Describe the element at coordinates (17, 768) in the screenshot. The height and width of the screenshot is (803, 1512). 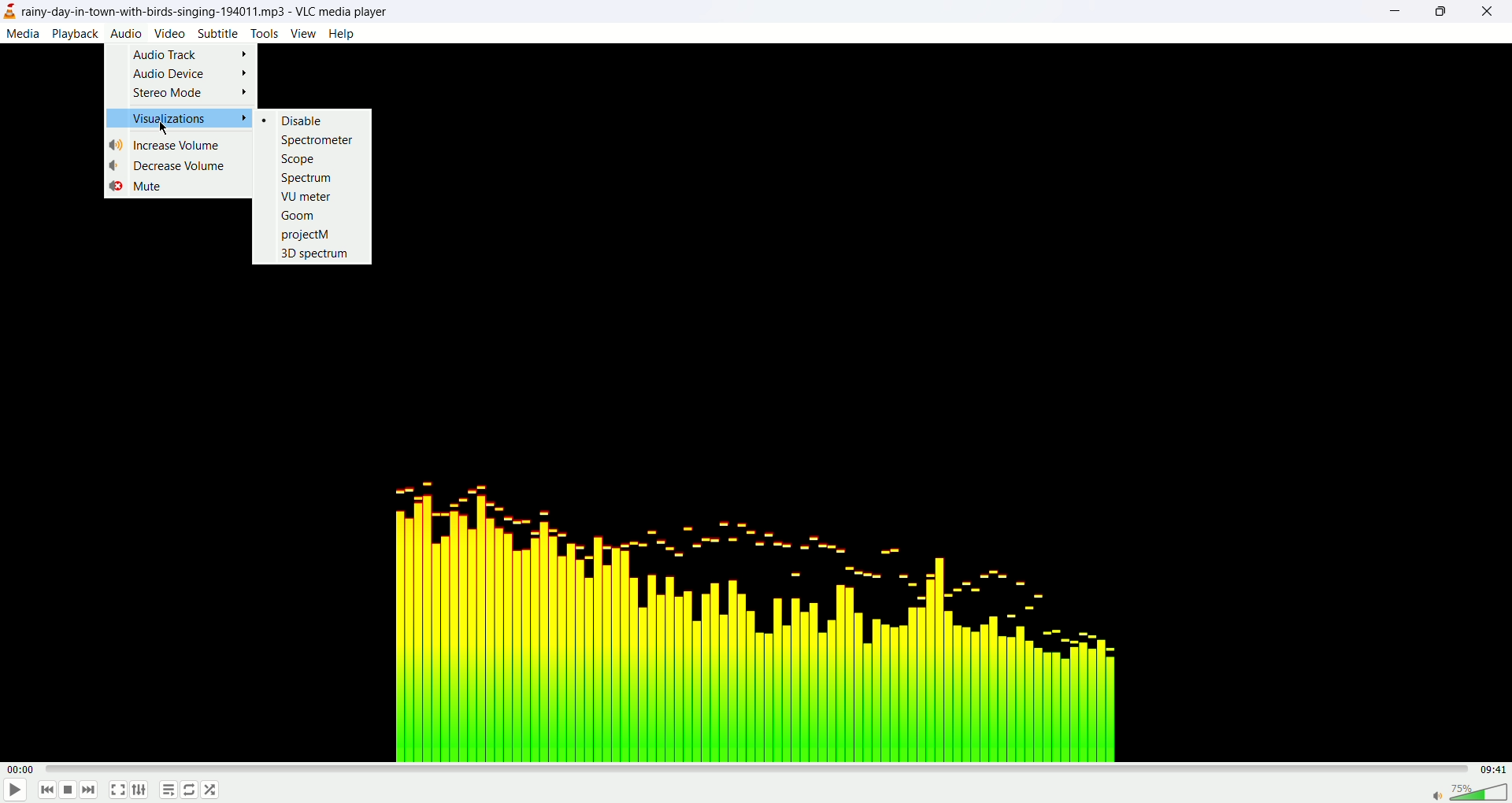
I see `played time` at that location.